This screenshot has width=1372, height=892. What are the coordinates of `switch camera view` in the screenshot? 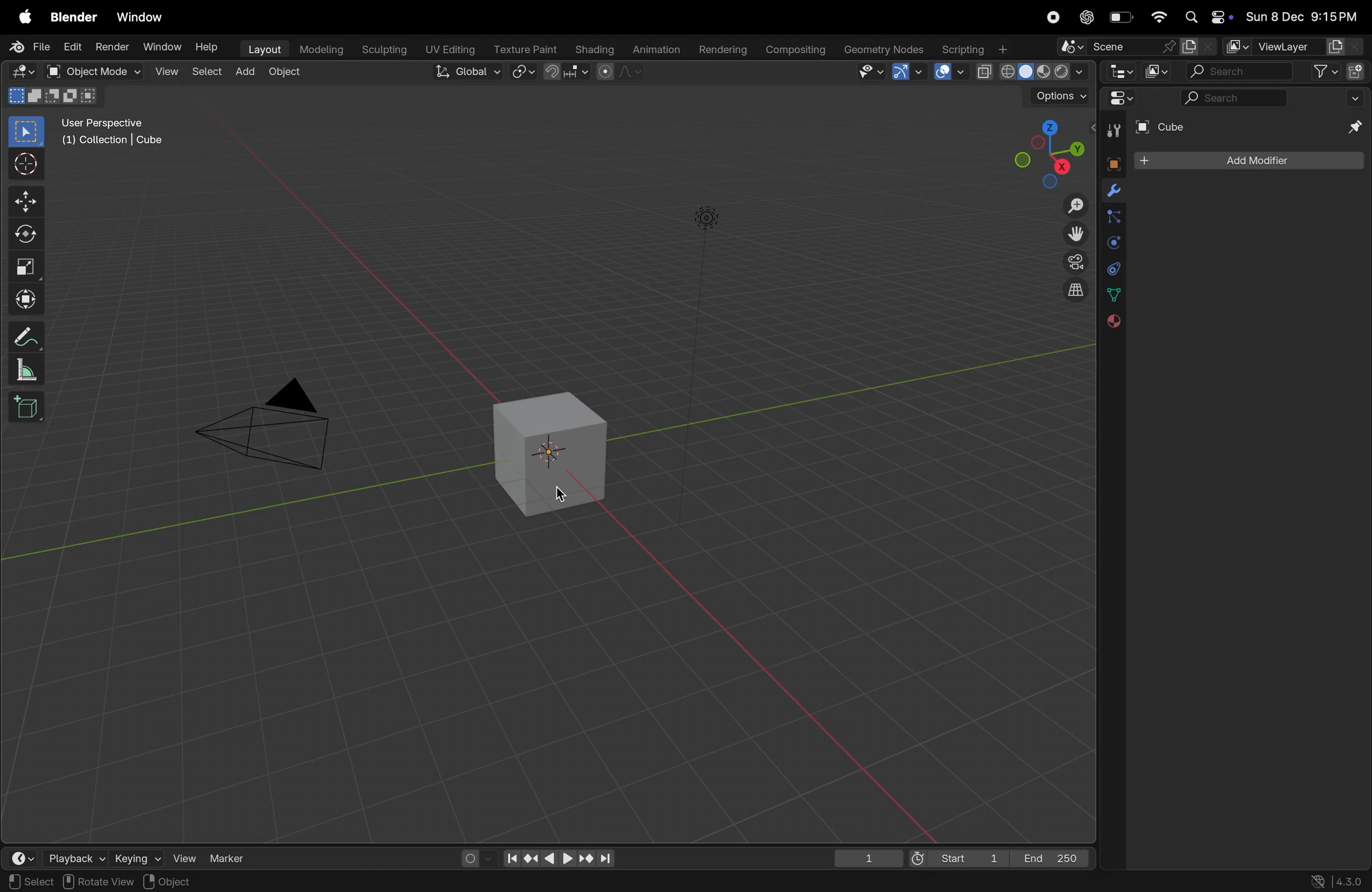 It's located at (1071, 261).